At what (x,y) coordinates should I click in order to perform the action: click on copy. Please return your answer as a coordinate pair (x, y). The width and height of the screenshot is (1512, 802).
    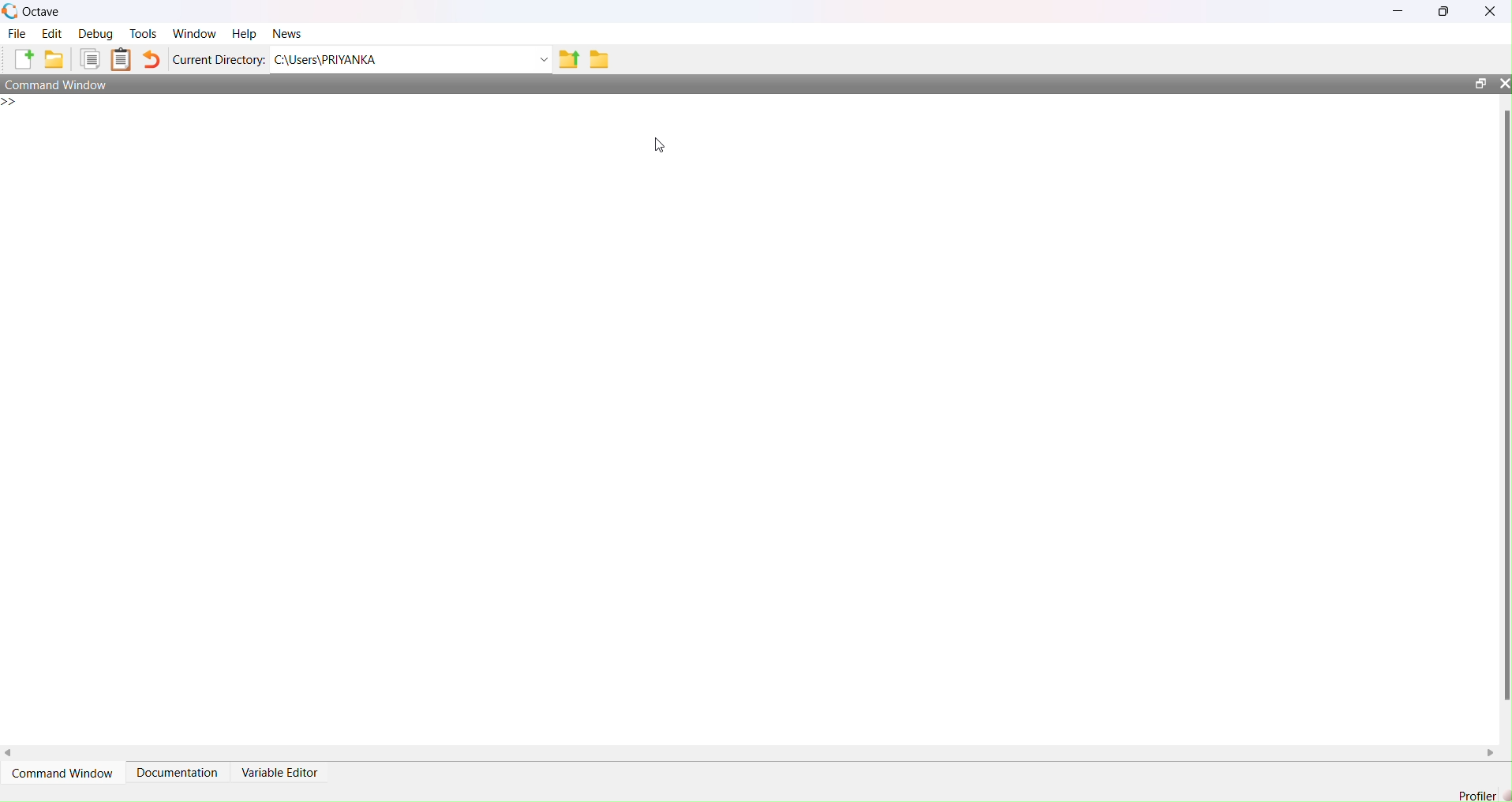
    Looking at the image, I should click on (86, 59).